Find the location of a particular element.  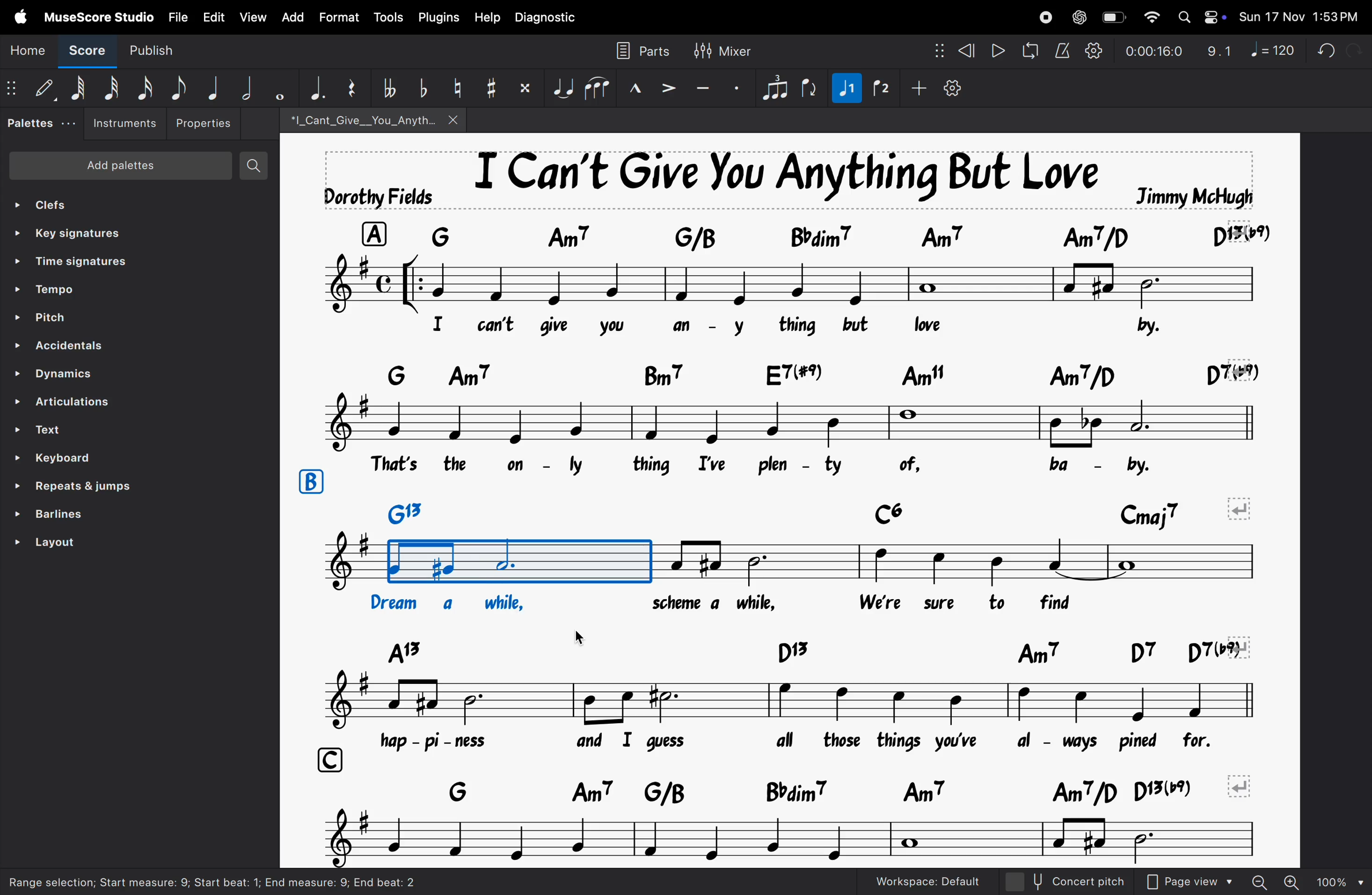

lyrics is located at coordinates (766, 604).